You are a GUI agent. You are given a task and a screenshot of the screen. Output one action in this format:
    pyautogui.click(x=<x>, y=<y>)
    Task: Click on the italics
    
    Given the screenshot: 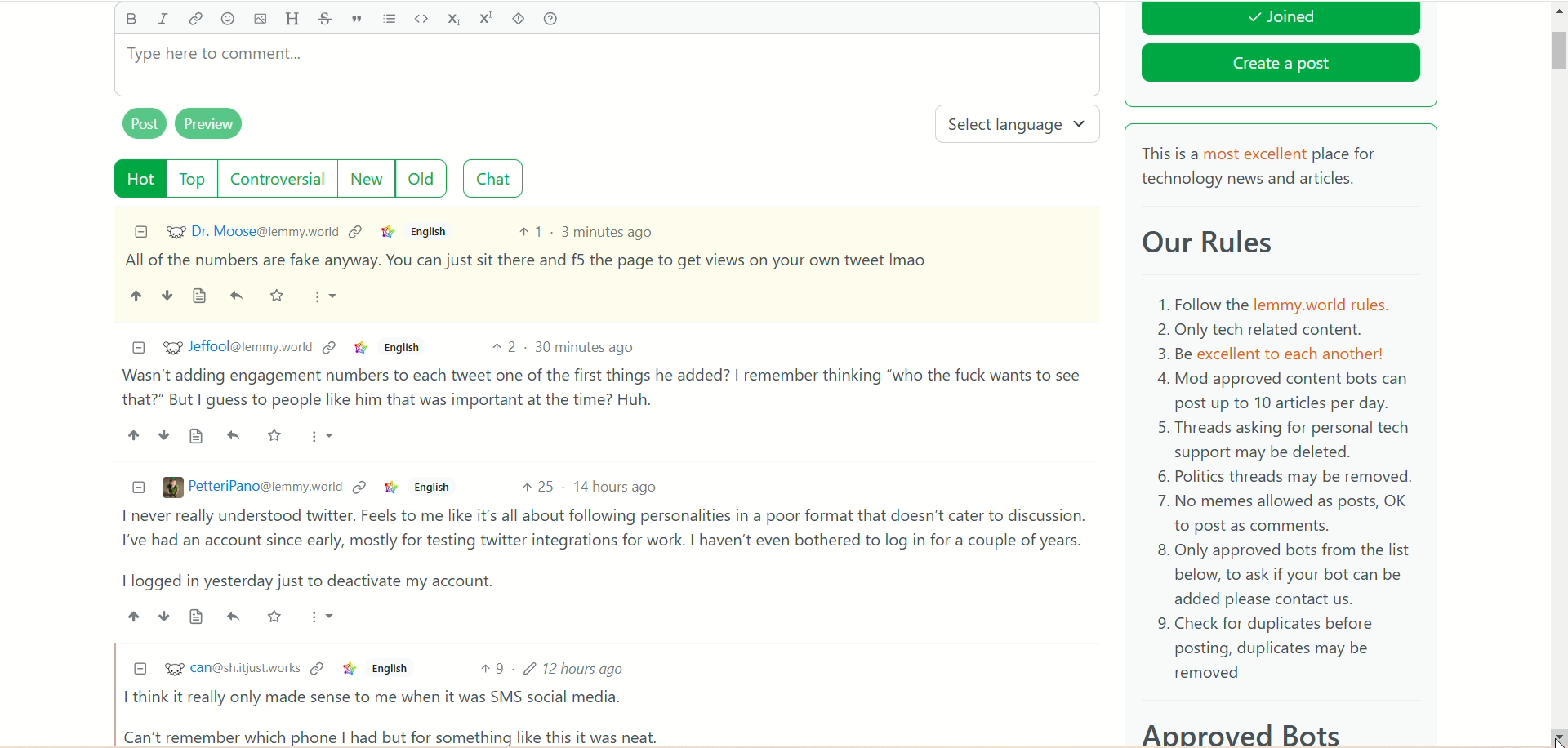 What is the action you would take?
    pyautogui.click(x=163, y=18)
    